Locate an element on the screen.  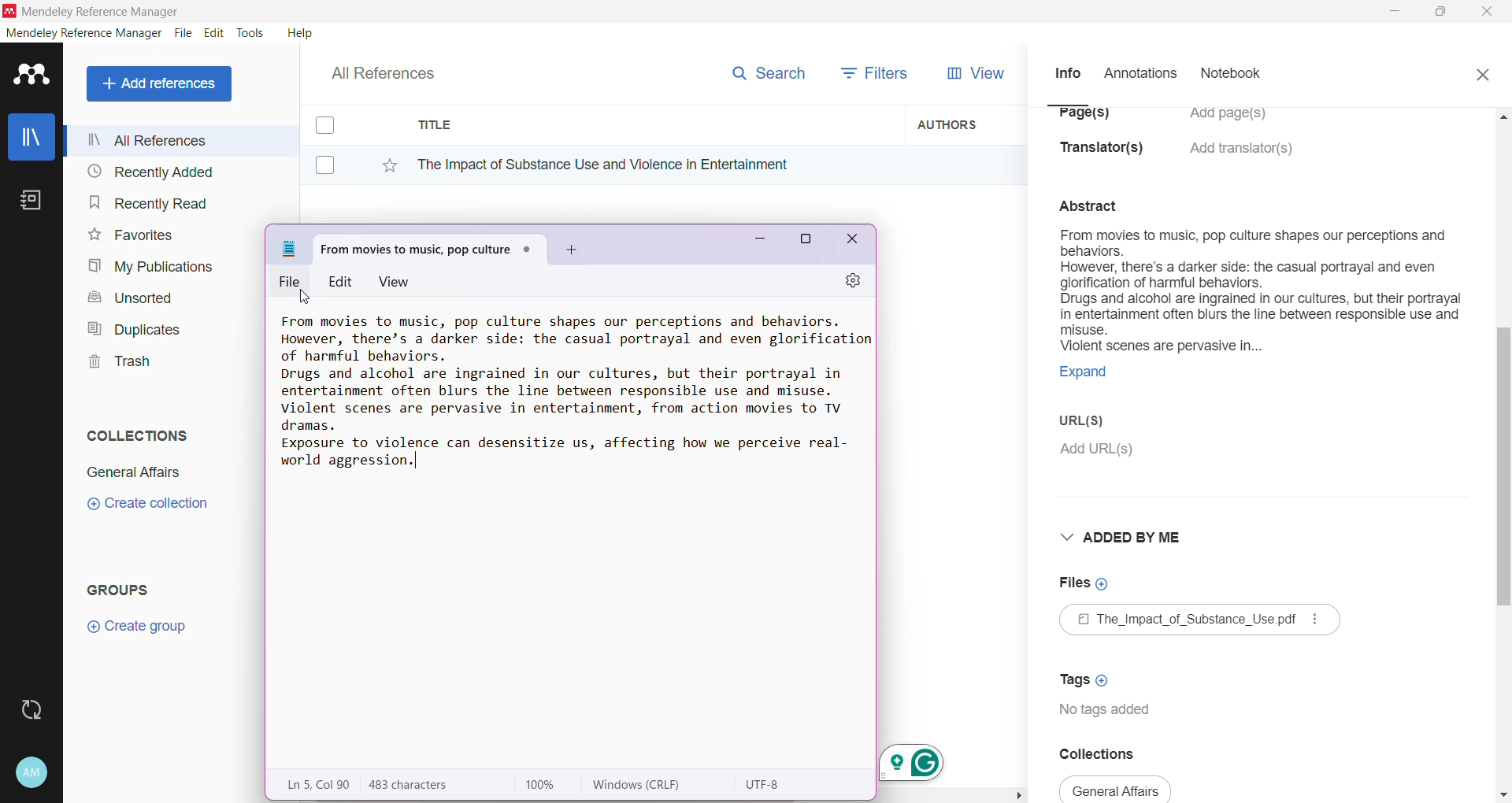
Document summary selected to be copied is located at coordinates (1259, 313).